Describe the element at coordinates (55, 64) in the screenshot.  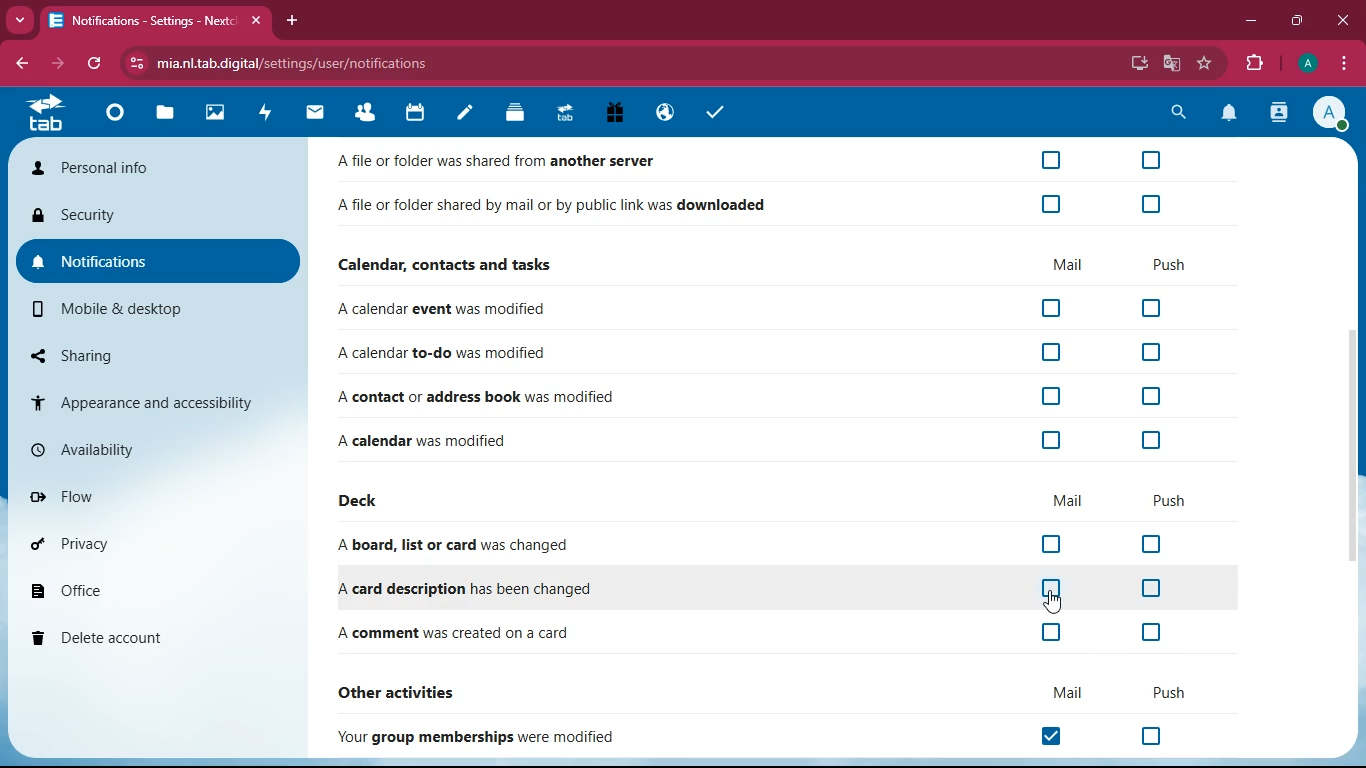
I see `forward` at that location.